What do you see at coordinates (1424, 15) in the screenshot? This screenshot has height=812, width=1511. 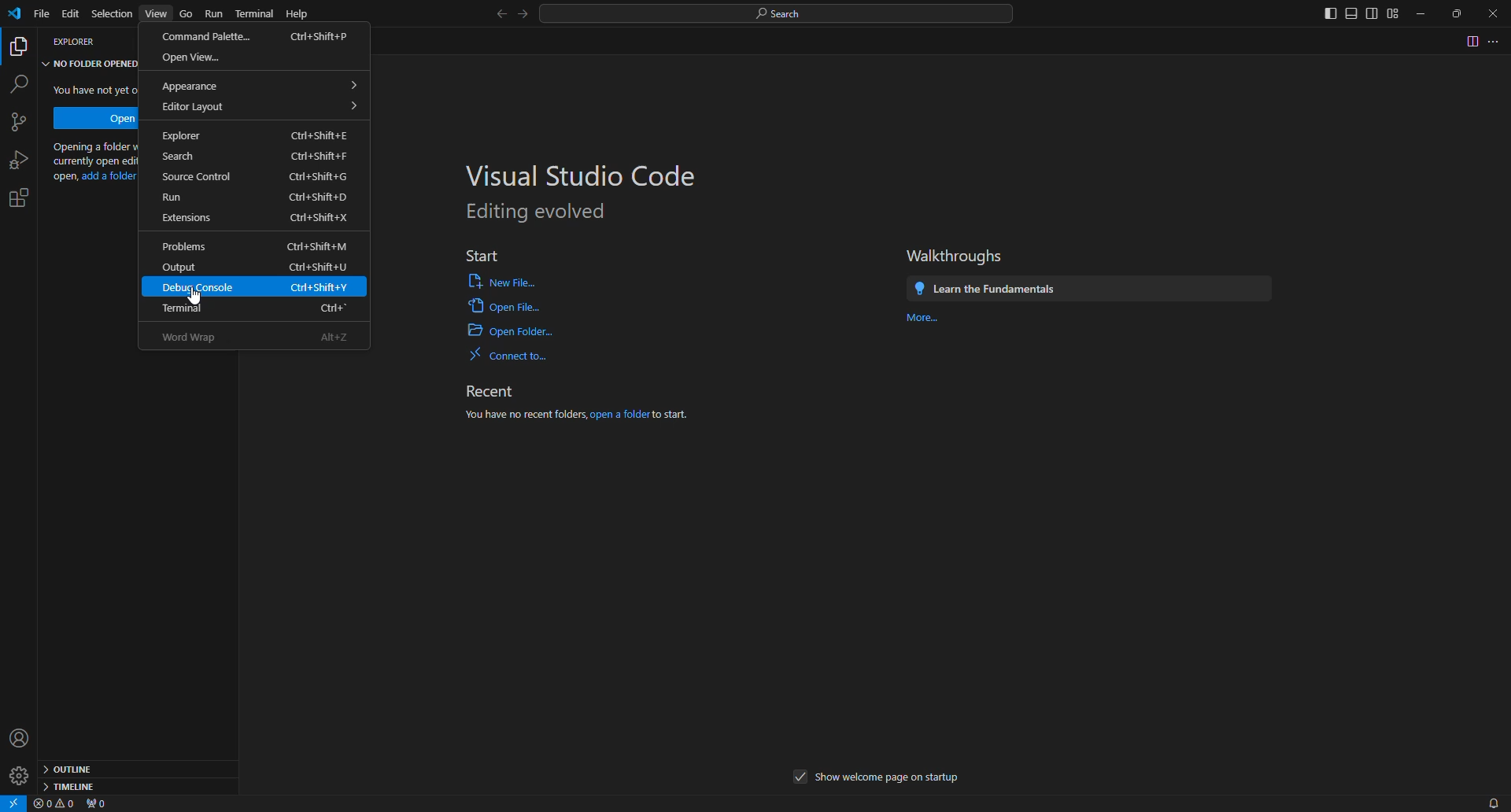 I see `minimize` at bounding box center [1424, 15].